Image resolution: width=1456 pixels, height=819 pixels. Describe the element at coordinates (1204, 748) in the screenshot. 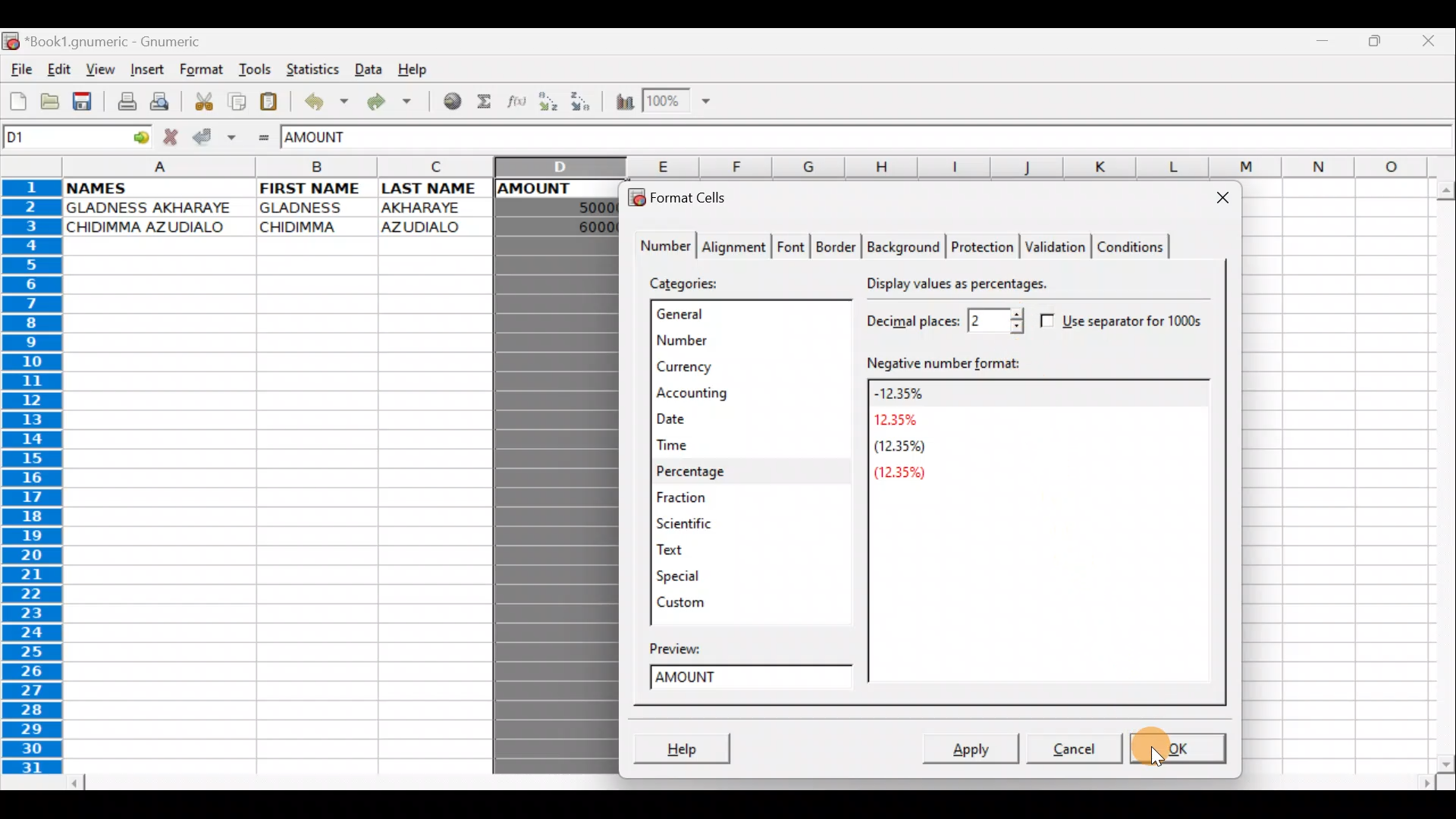

I see `Cursor on OK` at that location.